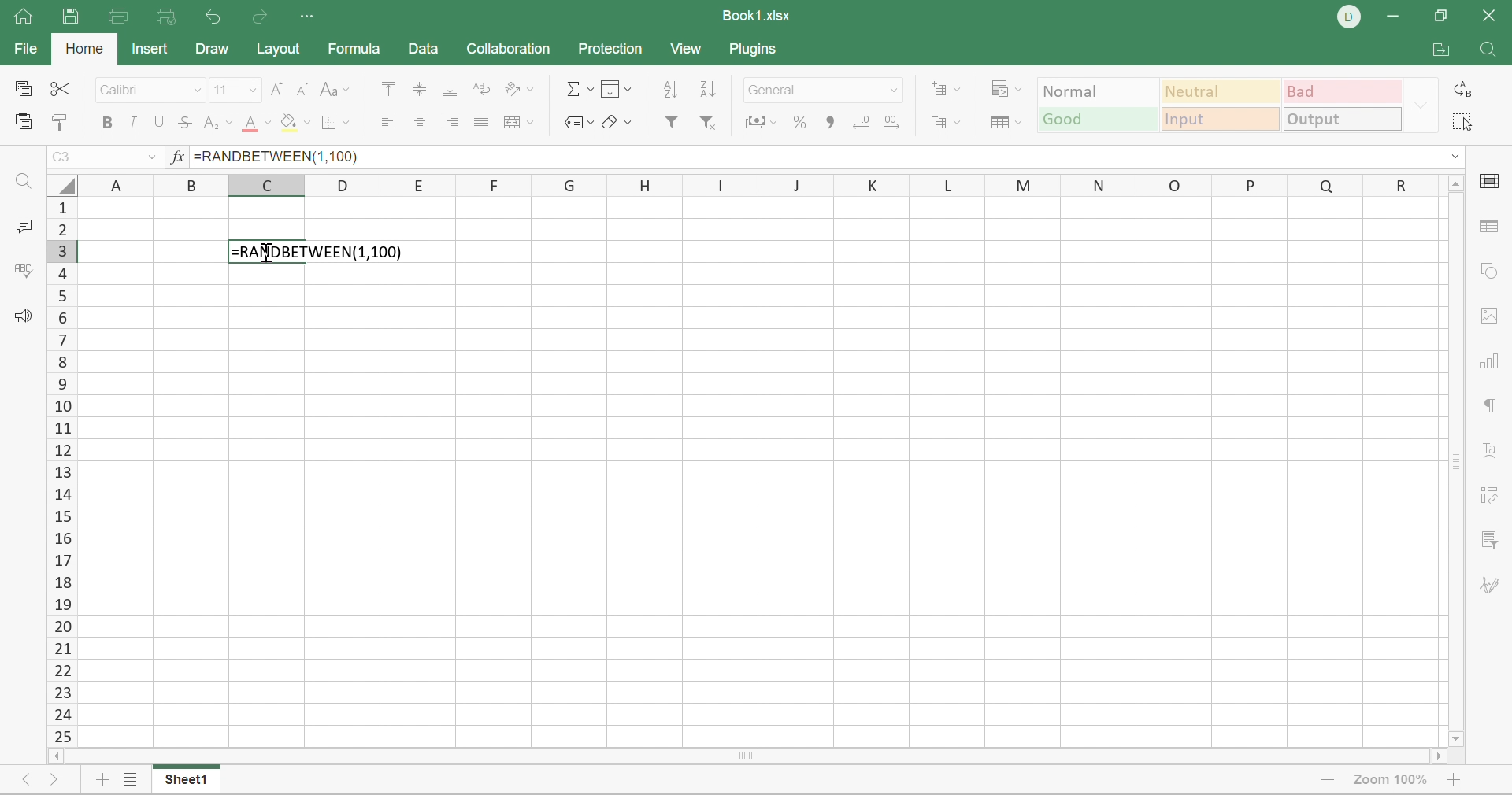 This screenshot has height=795, width=1512. What do you see at coordinates (484, 122) in the screenshot?
I see `Justified` at bounding box center [484, 122].